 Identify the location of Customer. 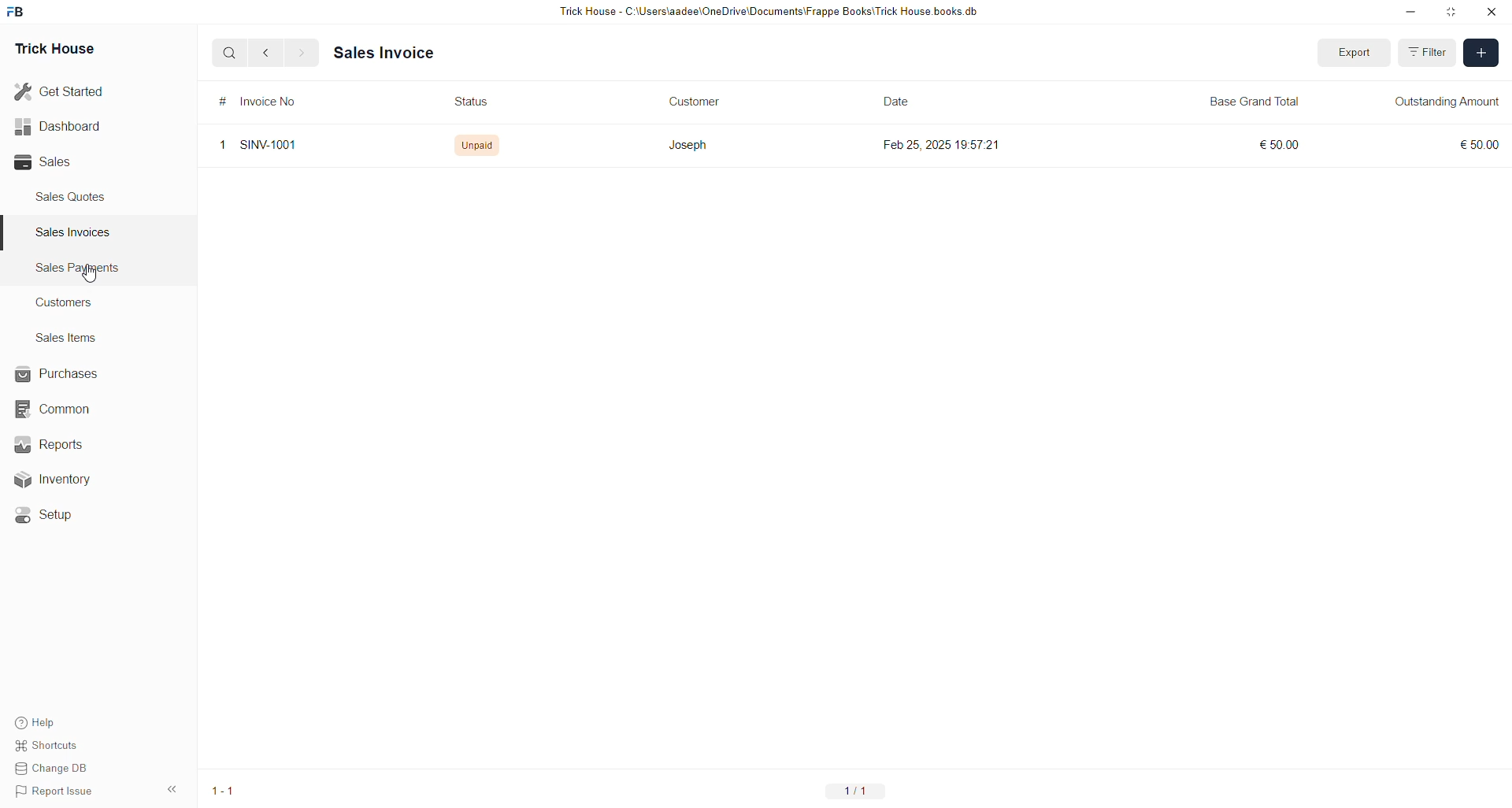
(693, 101).